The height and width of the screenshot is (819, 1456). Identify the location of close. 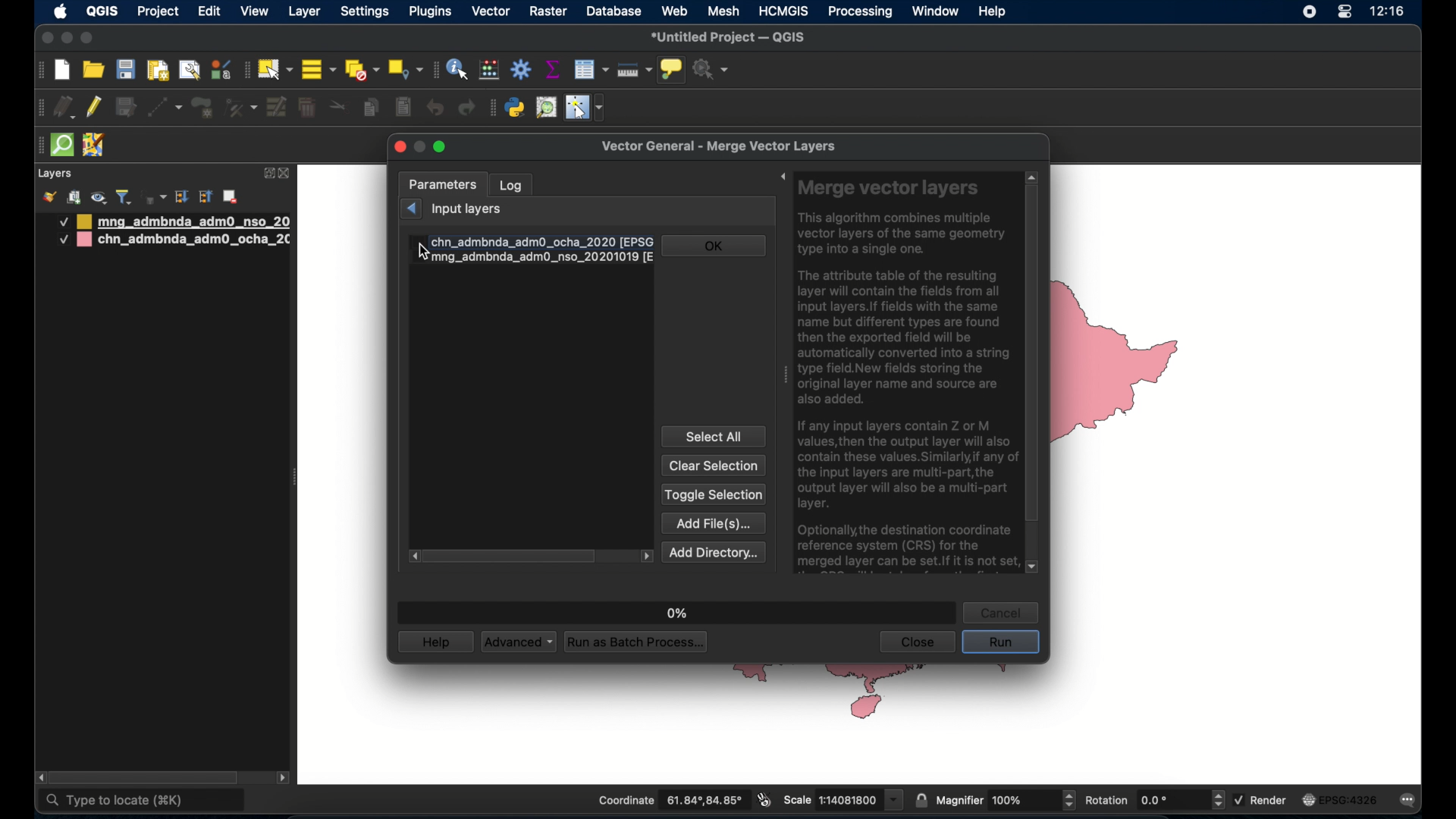
(45, 39).